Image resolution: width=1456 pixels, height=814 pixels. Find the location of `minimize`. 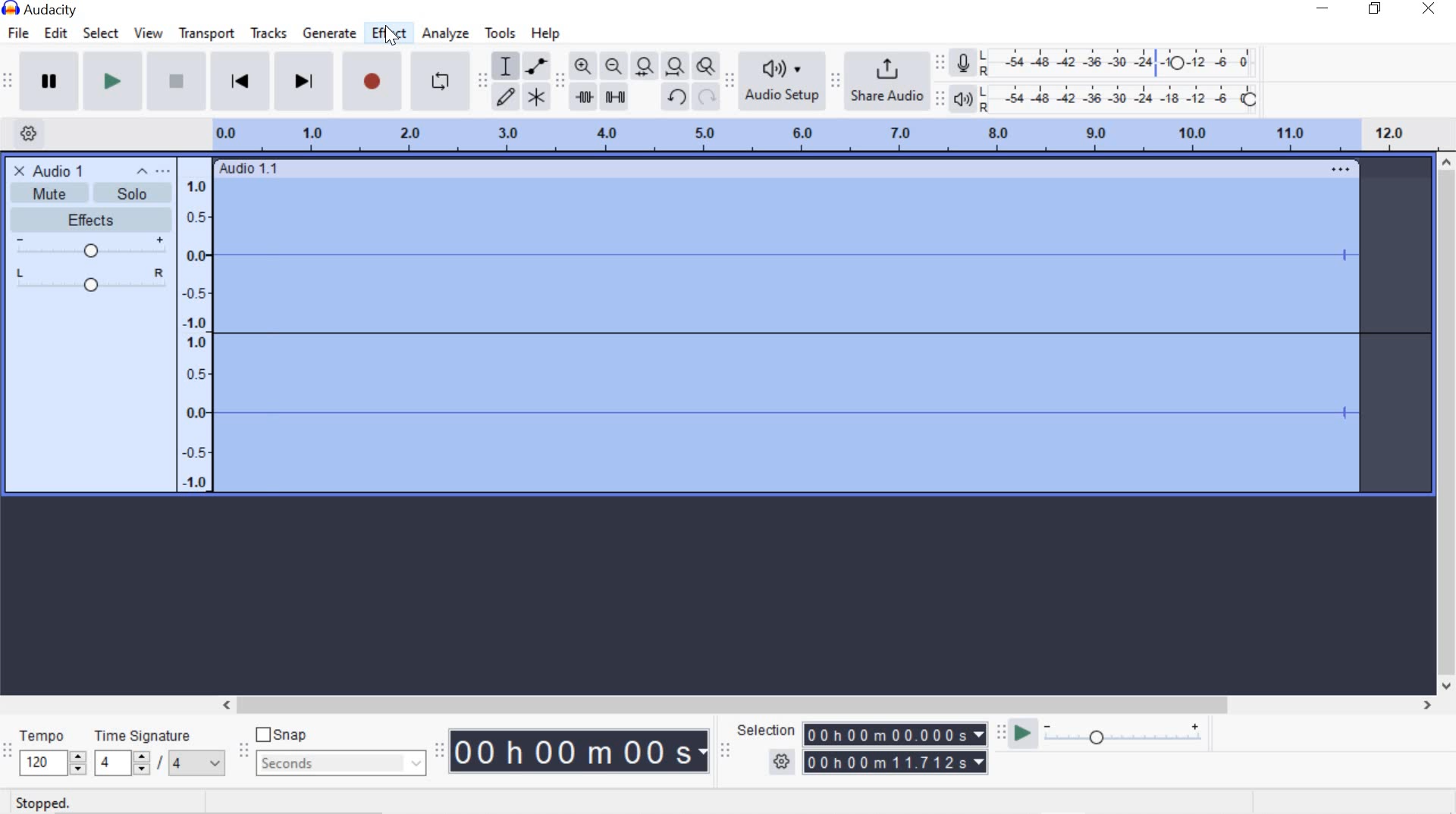

minimize is located at coordinates (1323, 11).